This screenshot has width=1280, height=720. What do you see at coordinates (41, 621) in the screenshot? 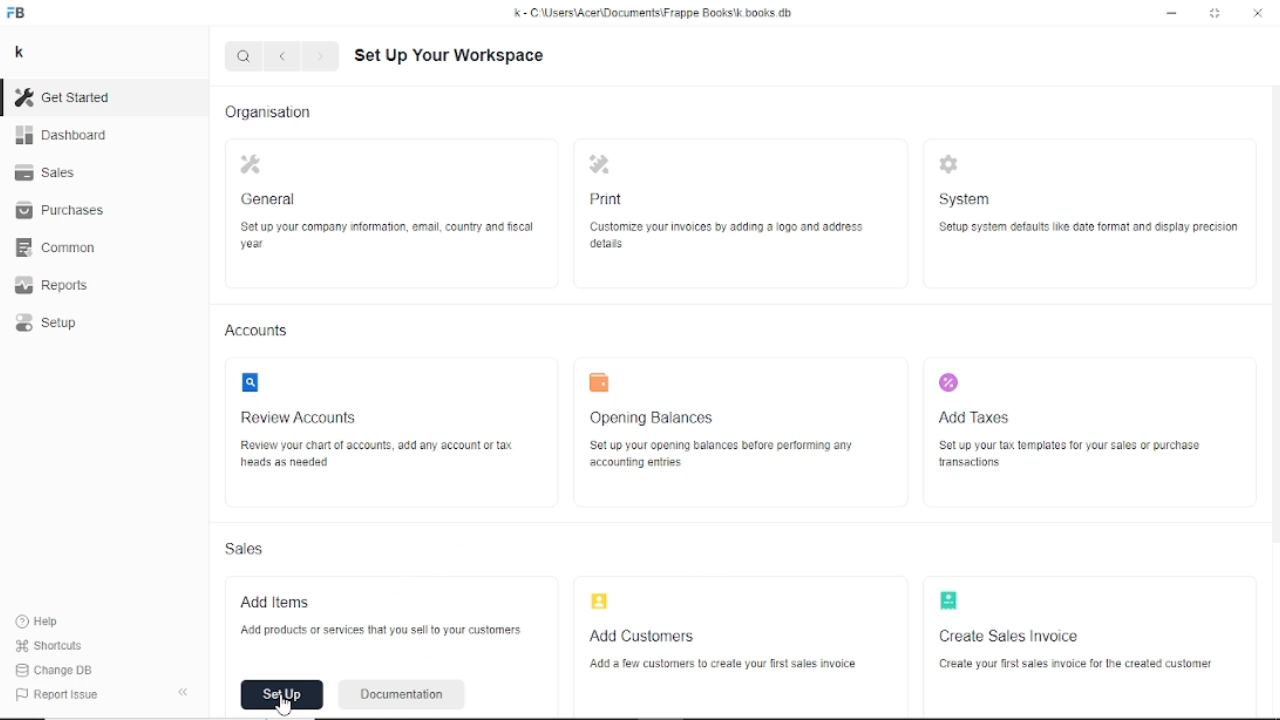
I see `Help` at bounding box center [41, 621].